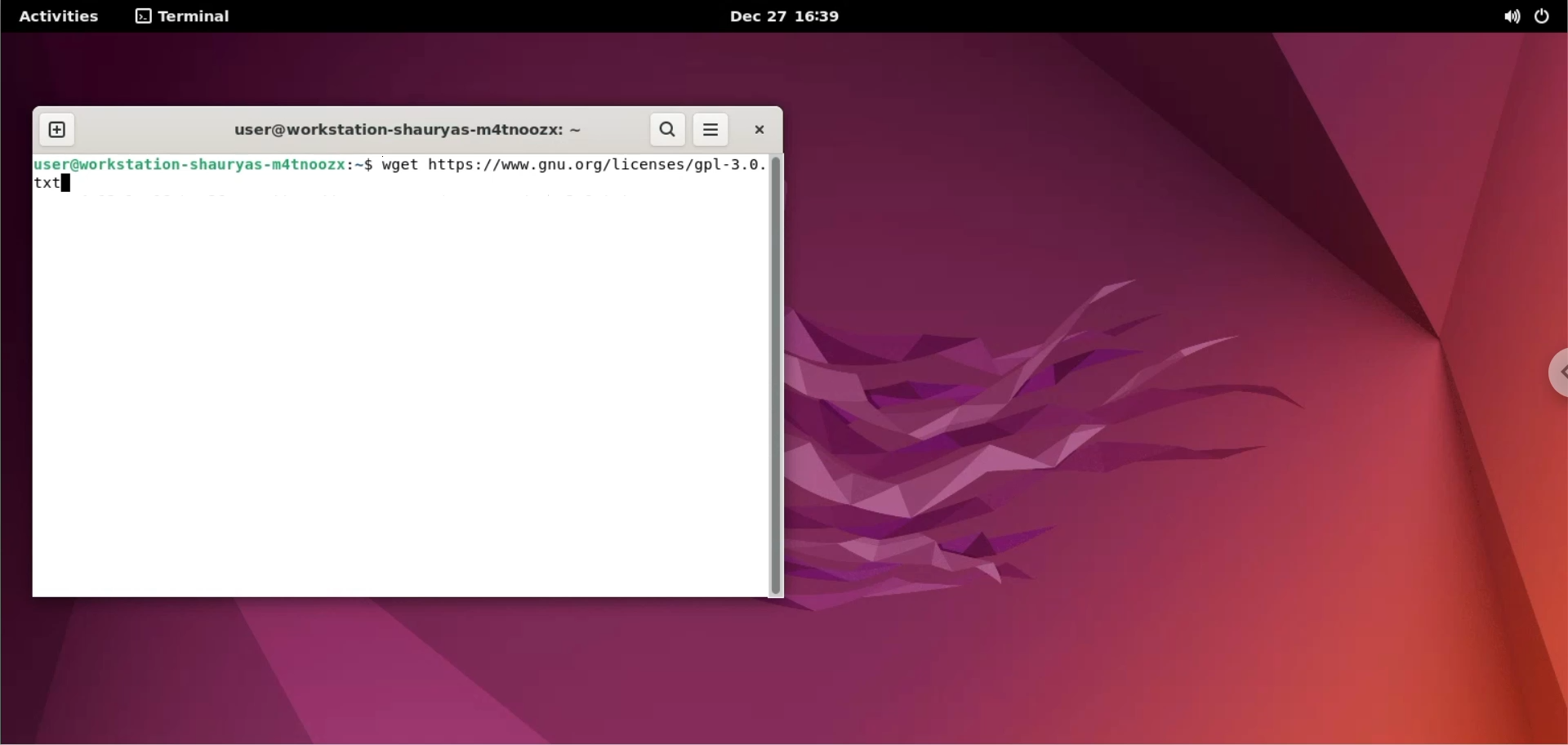 The image size is (1568, 745). Describe the element at coordinates (394, 127) in the screenshot. I see `user@workstation-shauryas-m4tnoozx: ~` at that location.